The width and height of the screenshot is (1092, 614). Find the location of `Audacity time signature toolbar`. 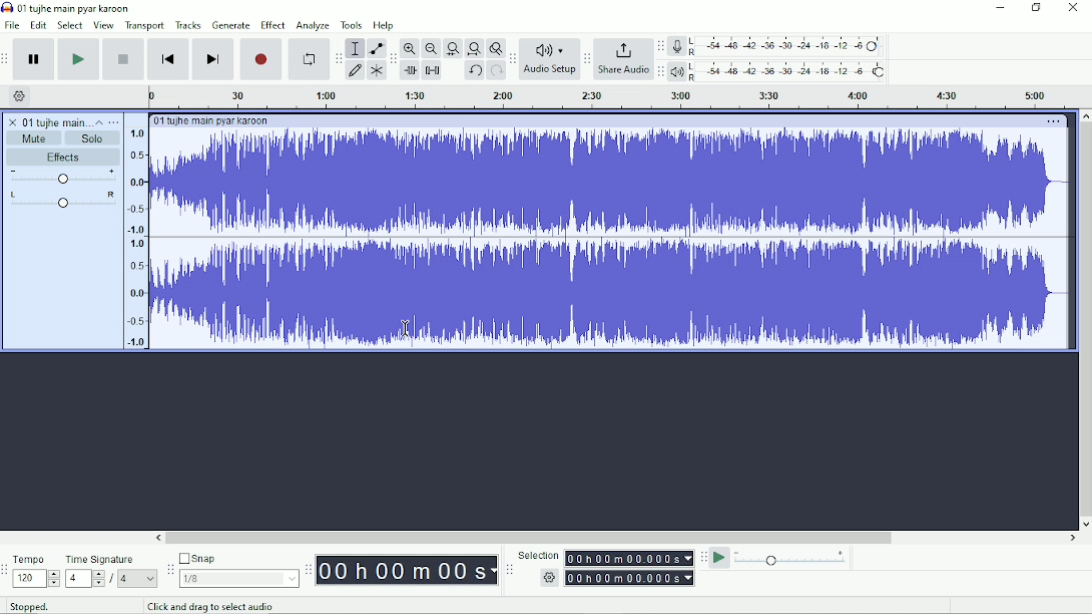

Audacity time signature toolbar is located at coordinates (7, 570).